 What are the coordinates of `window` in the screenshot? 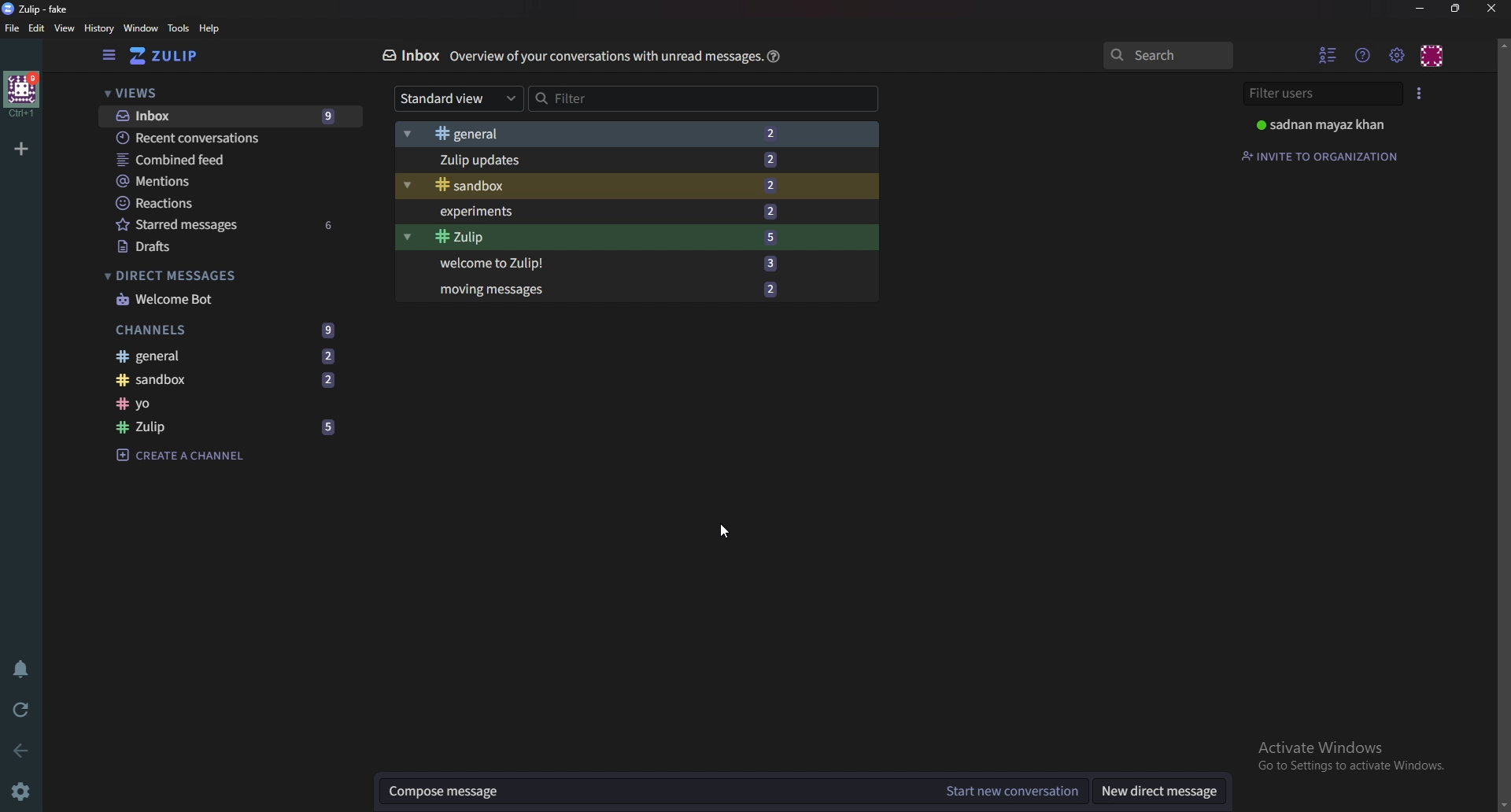 It's located at (141, 28).